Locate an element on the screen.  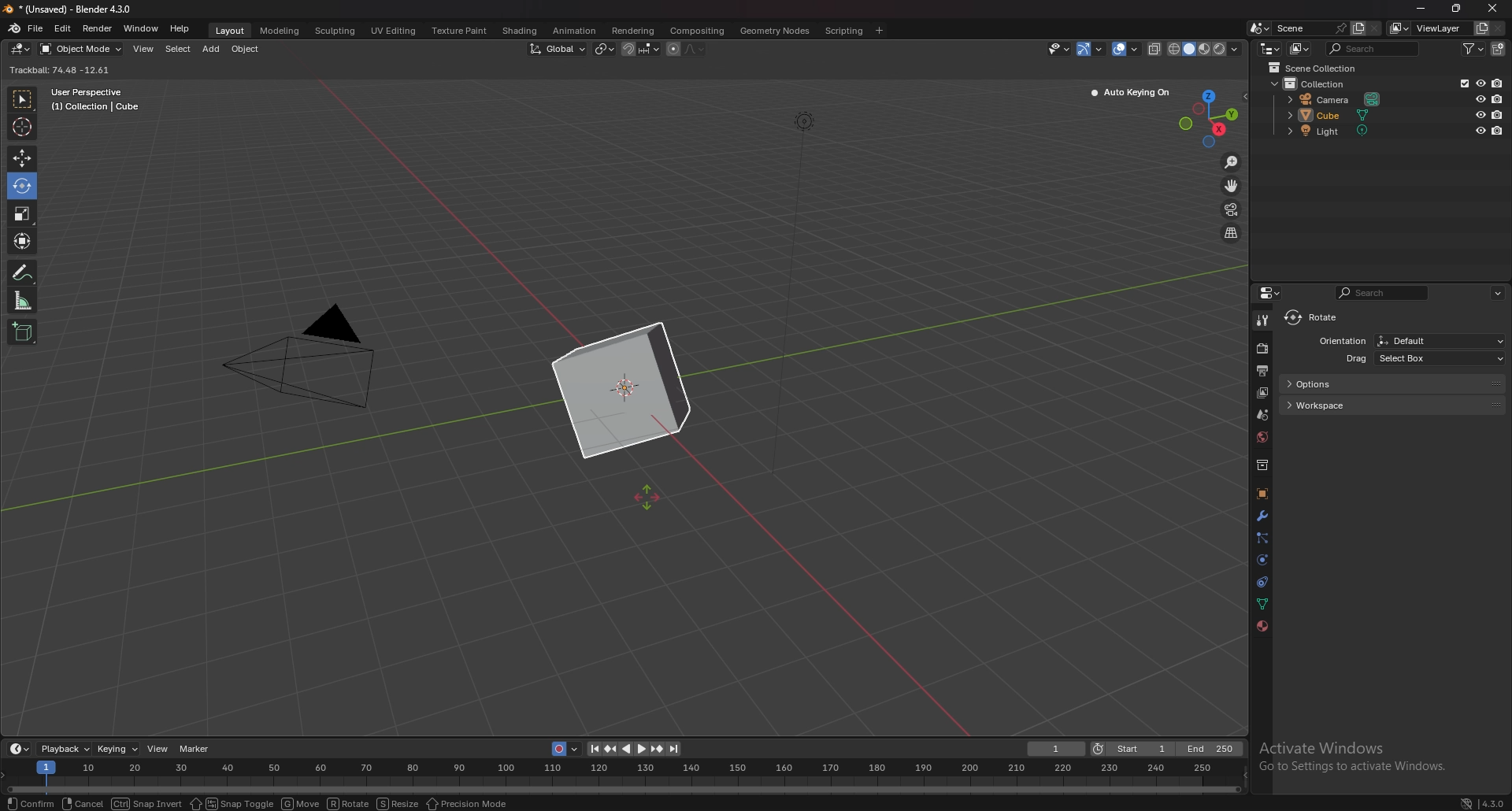
snap invert is located at coordinates (144, 804).